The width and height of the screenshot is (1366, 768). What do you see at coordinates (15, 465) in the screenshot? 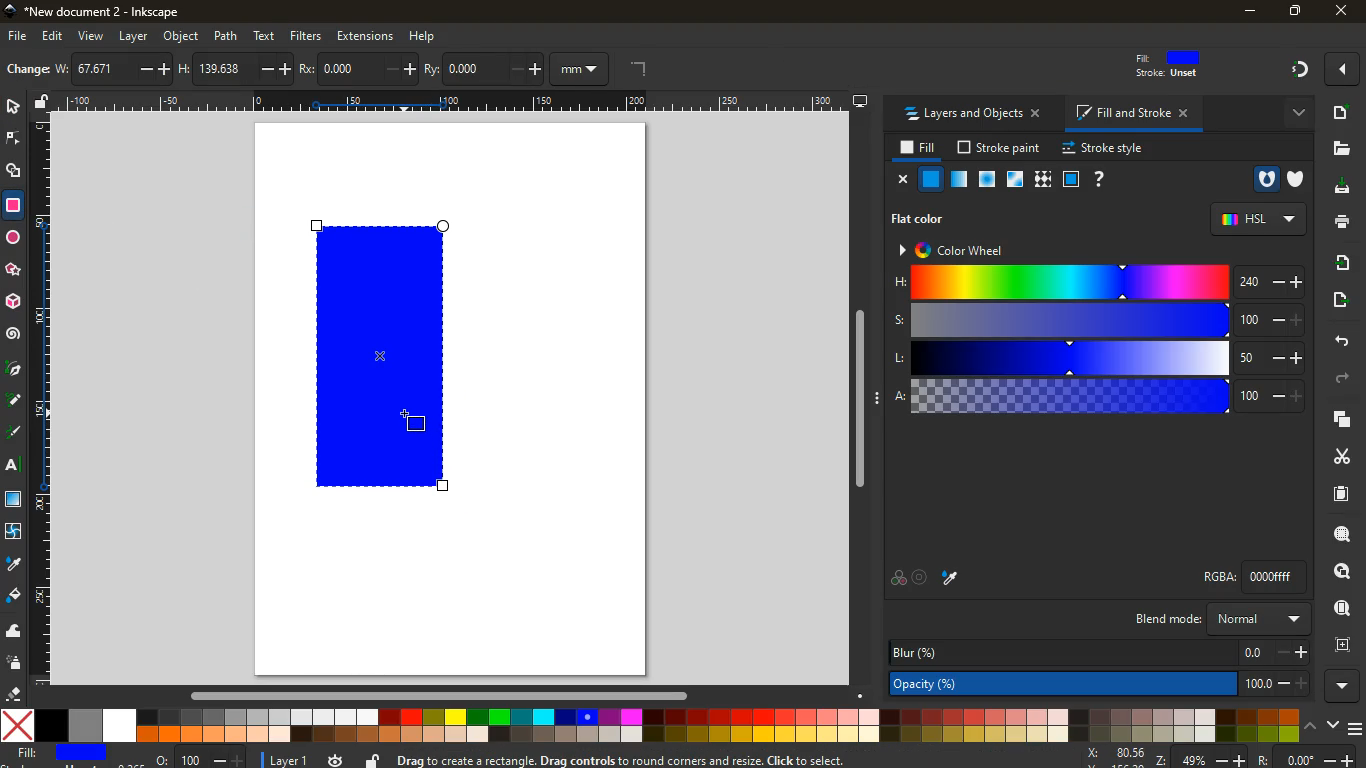
I see `text` at bounding box center [15, 465].